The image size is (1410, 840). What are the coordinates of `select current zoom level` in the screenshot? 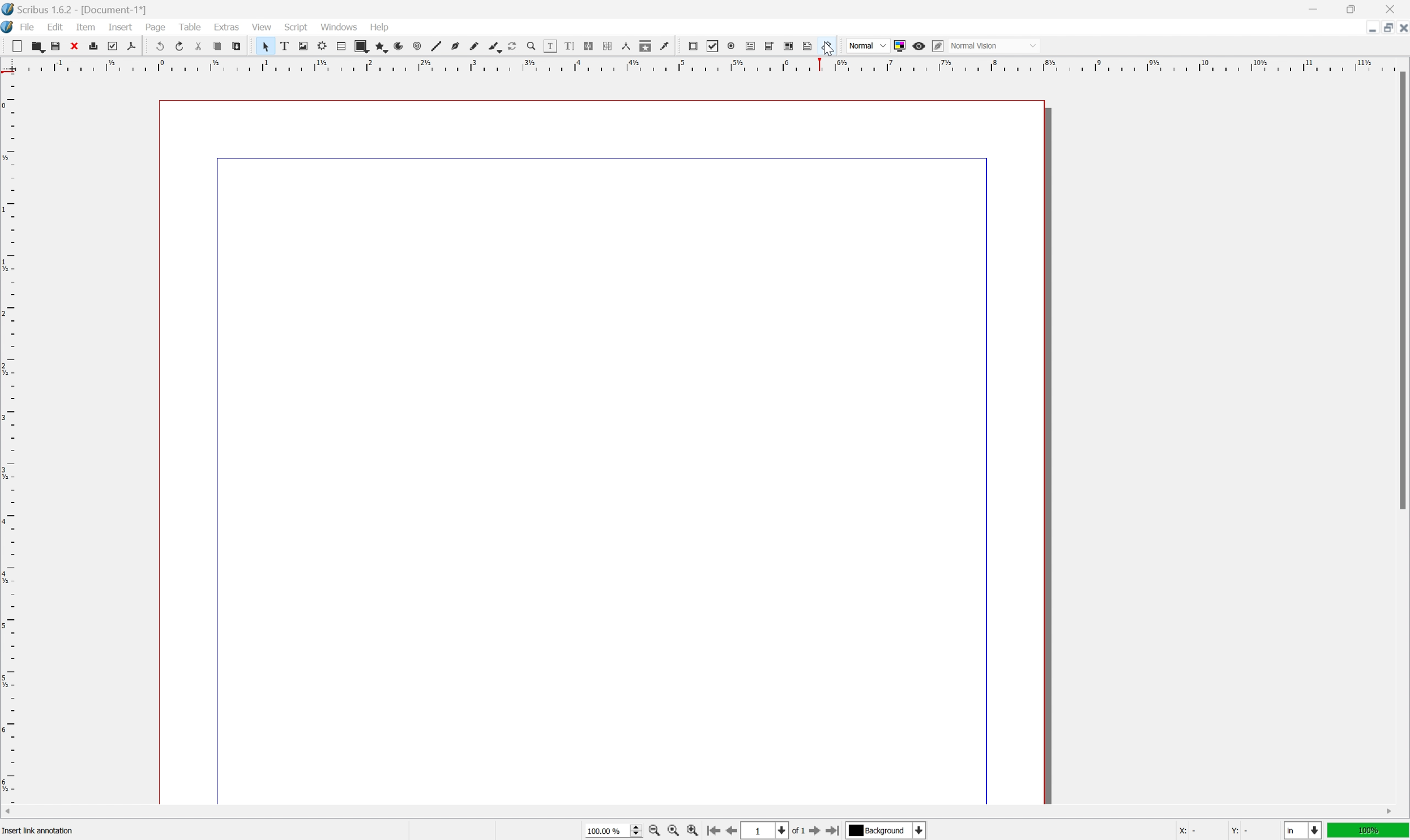 It's located at (613, 830).